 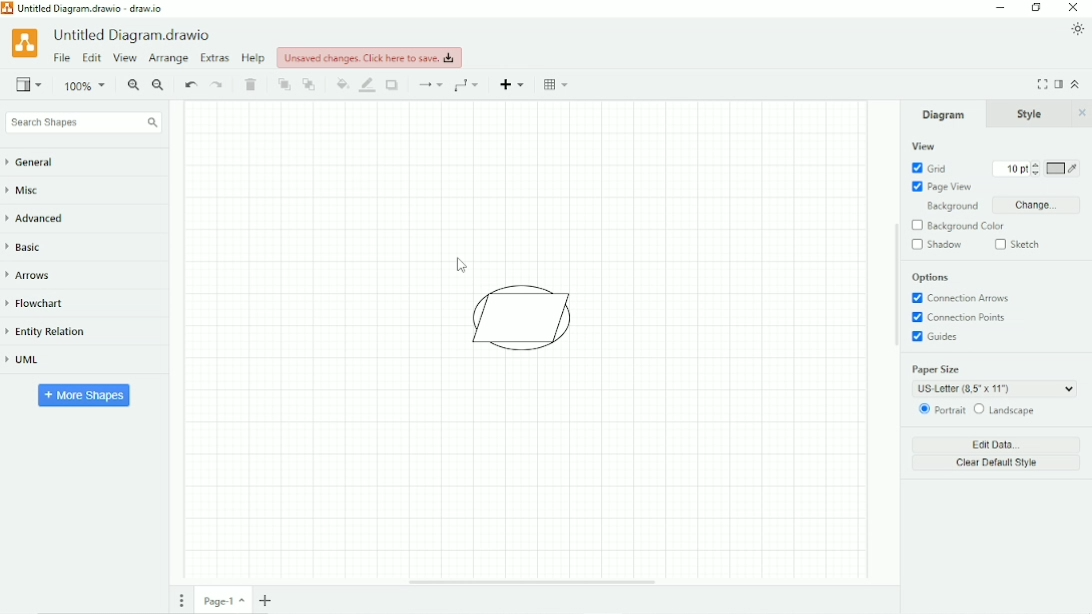 I want to click on Shadow, so click(x=937, y=245).